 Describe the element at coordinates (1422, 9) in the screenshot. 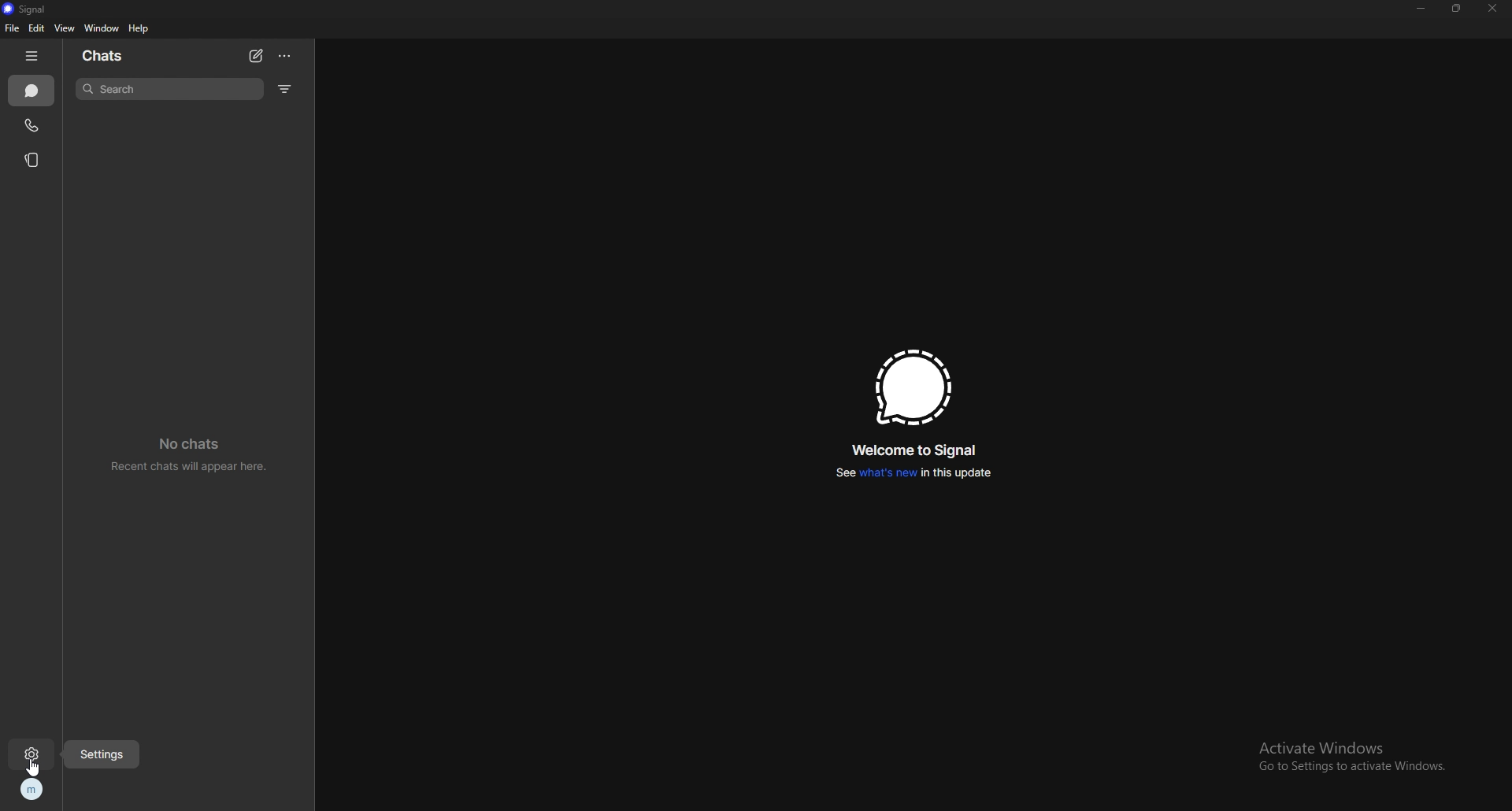

I see `minimize` at that location.